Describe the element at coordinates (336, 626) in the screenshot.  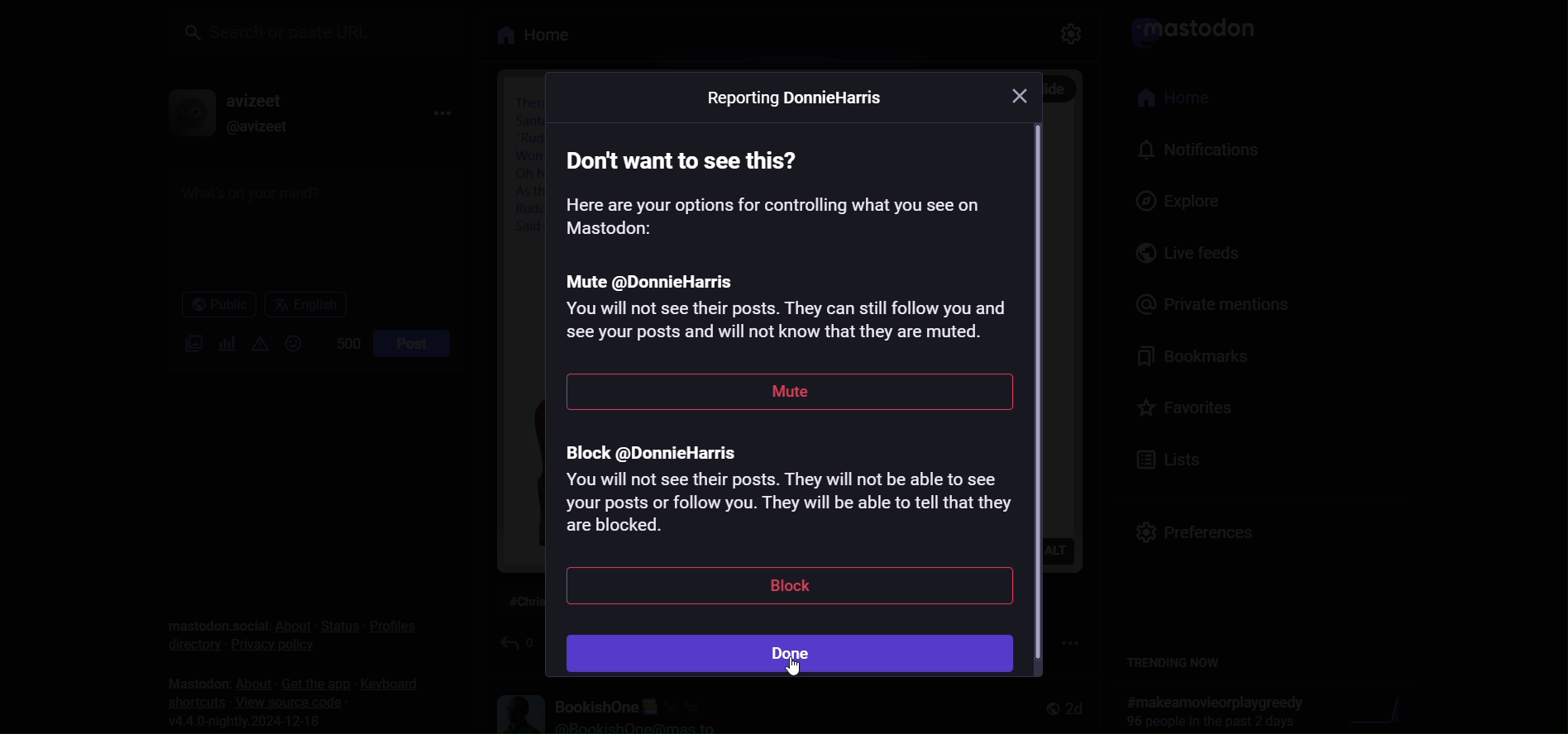
I see `status` at that location.